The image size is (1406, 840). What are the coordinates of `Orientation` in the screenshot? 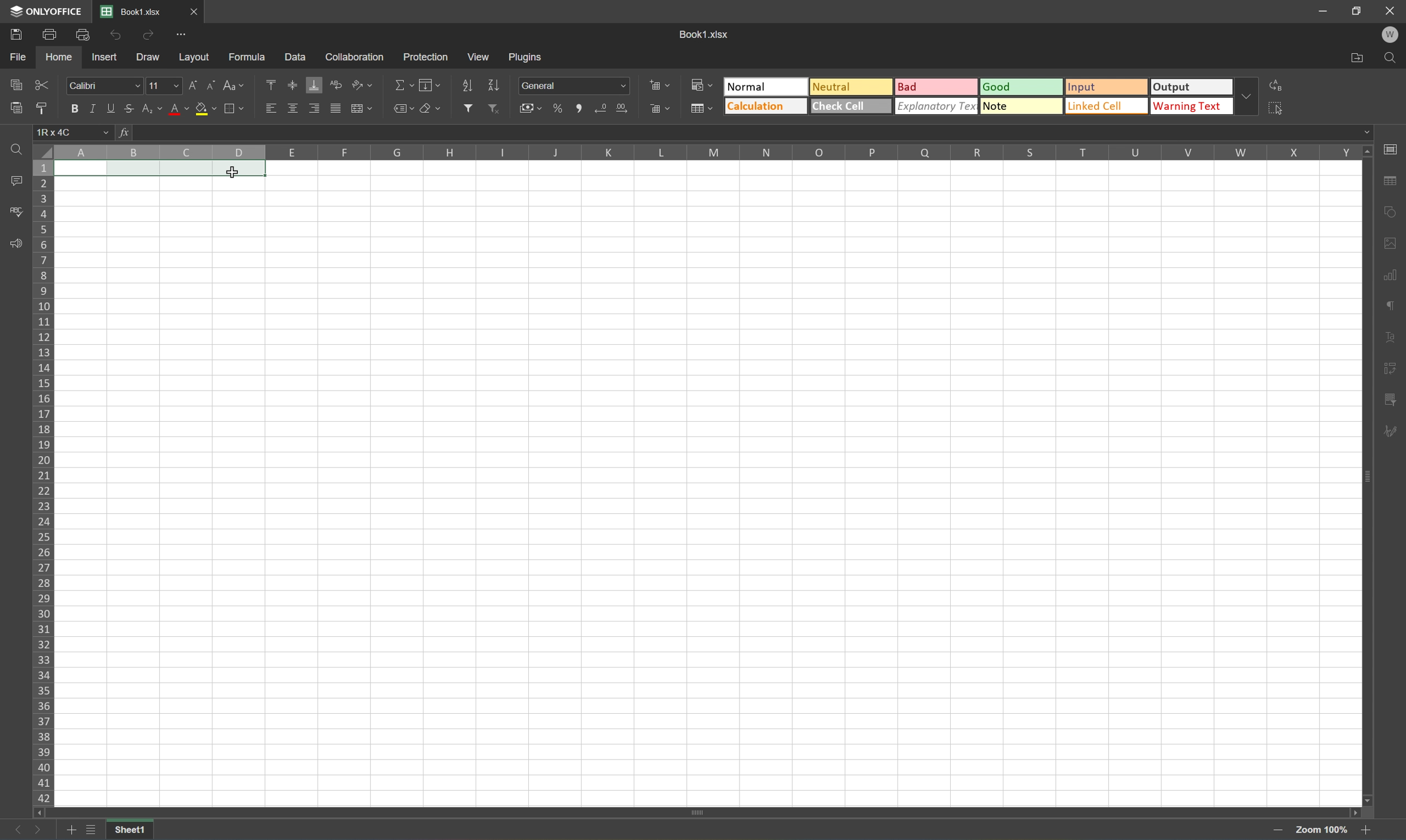 It's located at (362, 84).